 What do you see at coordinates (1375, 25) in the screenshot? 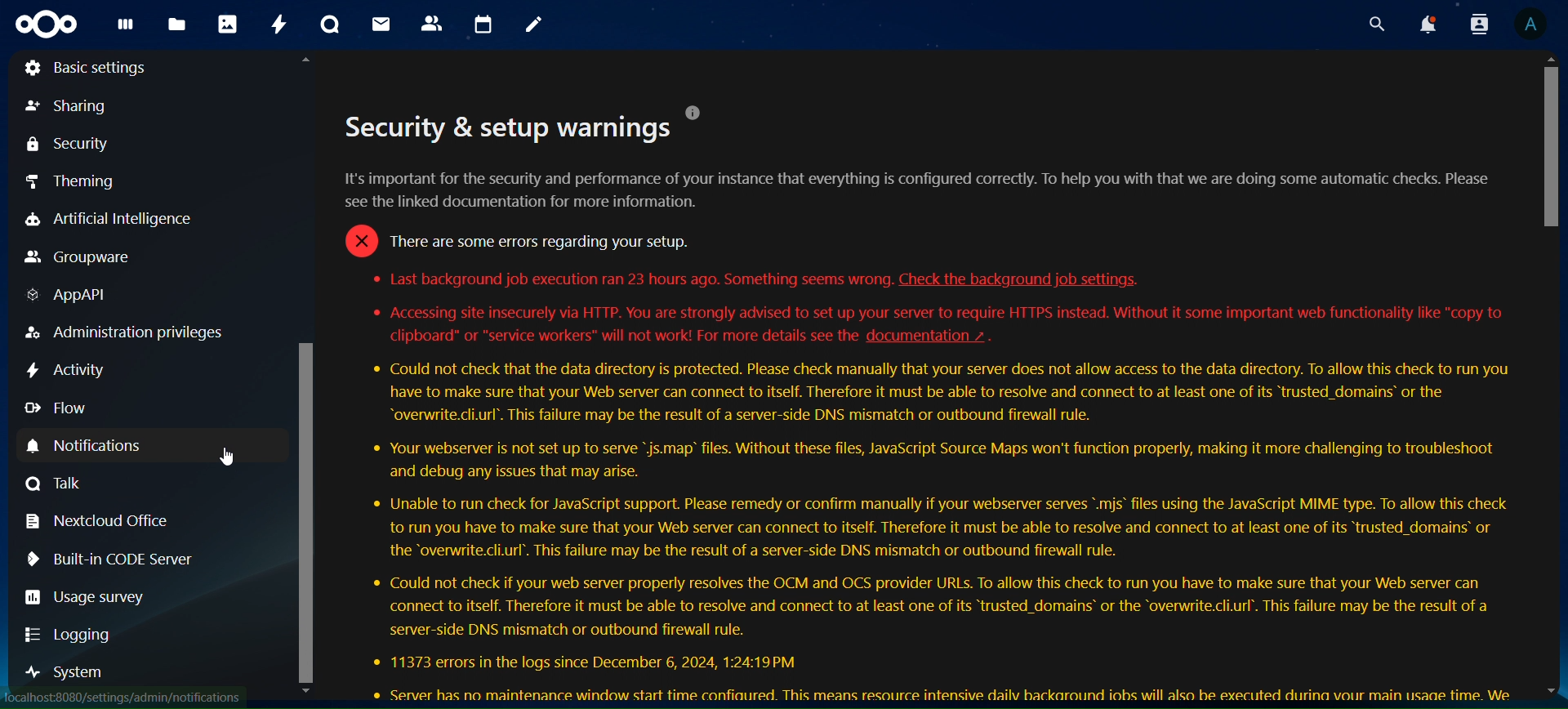
I see `search` at bounding box center [1375, 25].